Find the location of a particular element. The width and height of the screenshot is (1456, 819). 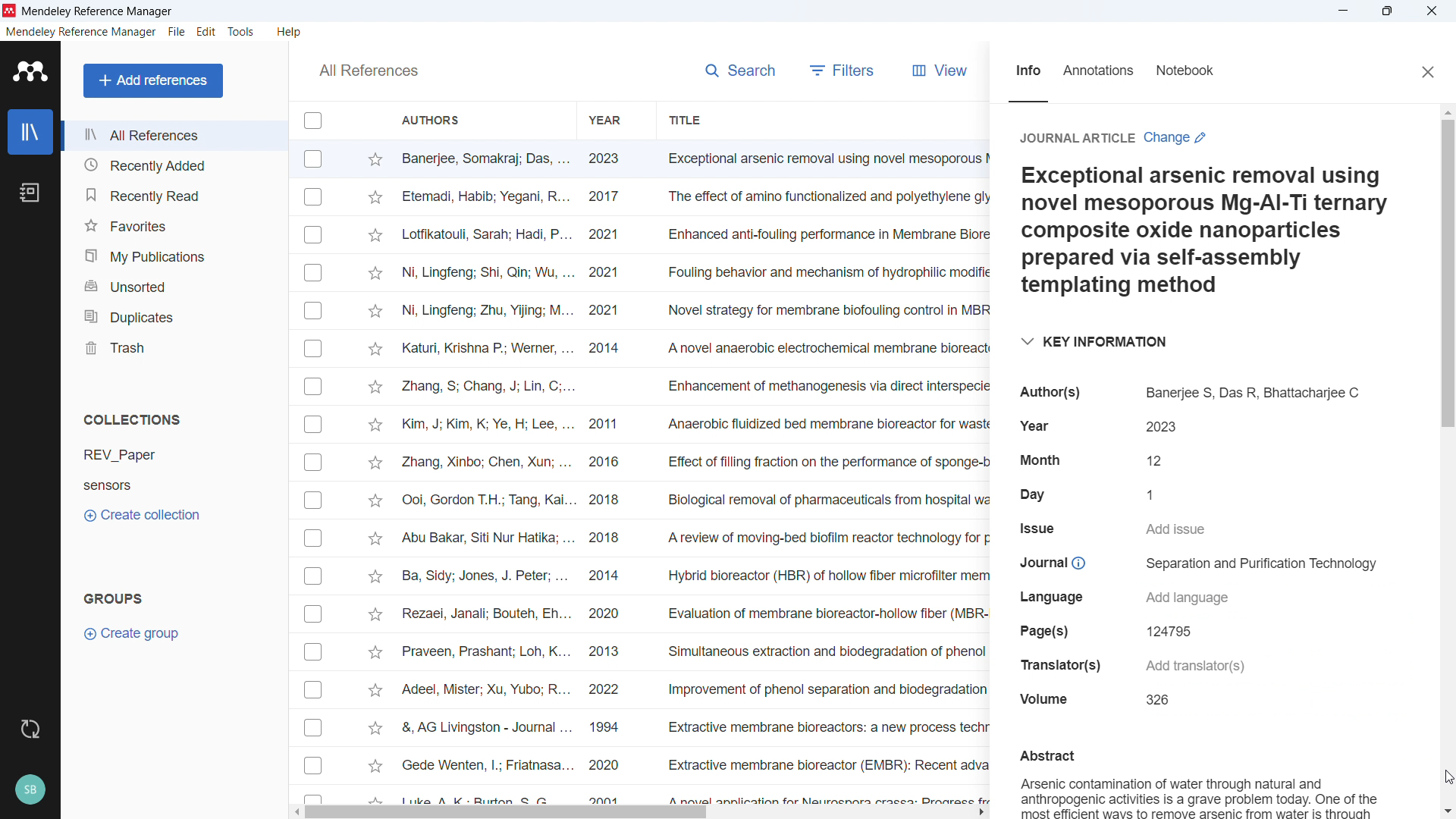

cursor movement is located at coordinates (1447, 773).